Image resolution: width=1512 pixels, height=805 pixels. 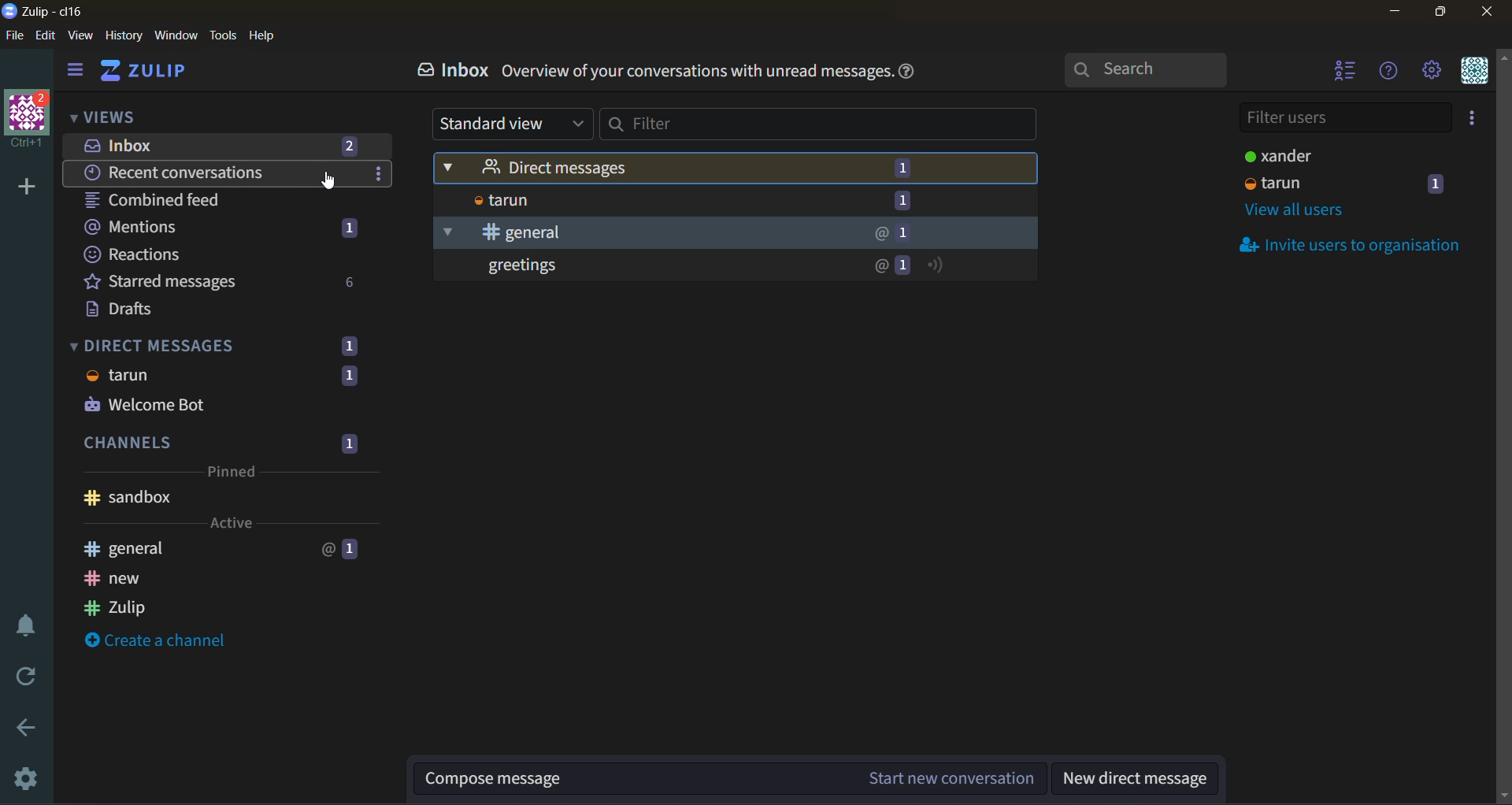 I want to click on view all users, so click(x=1303, y=210).